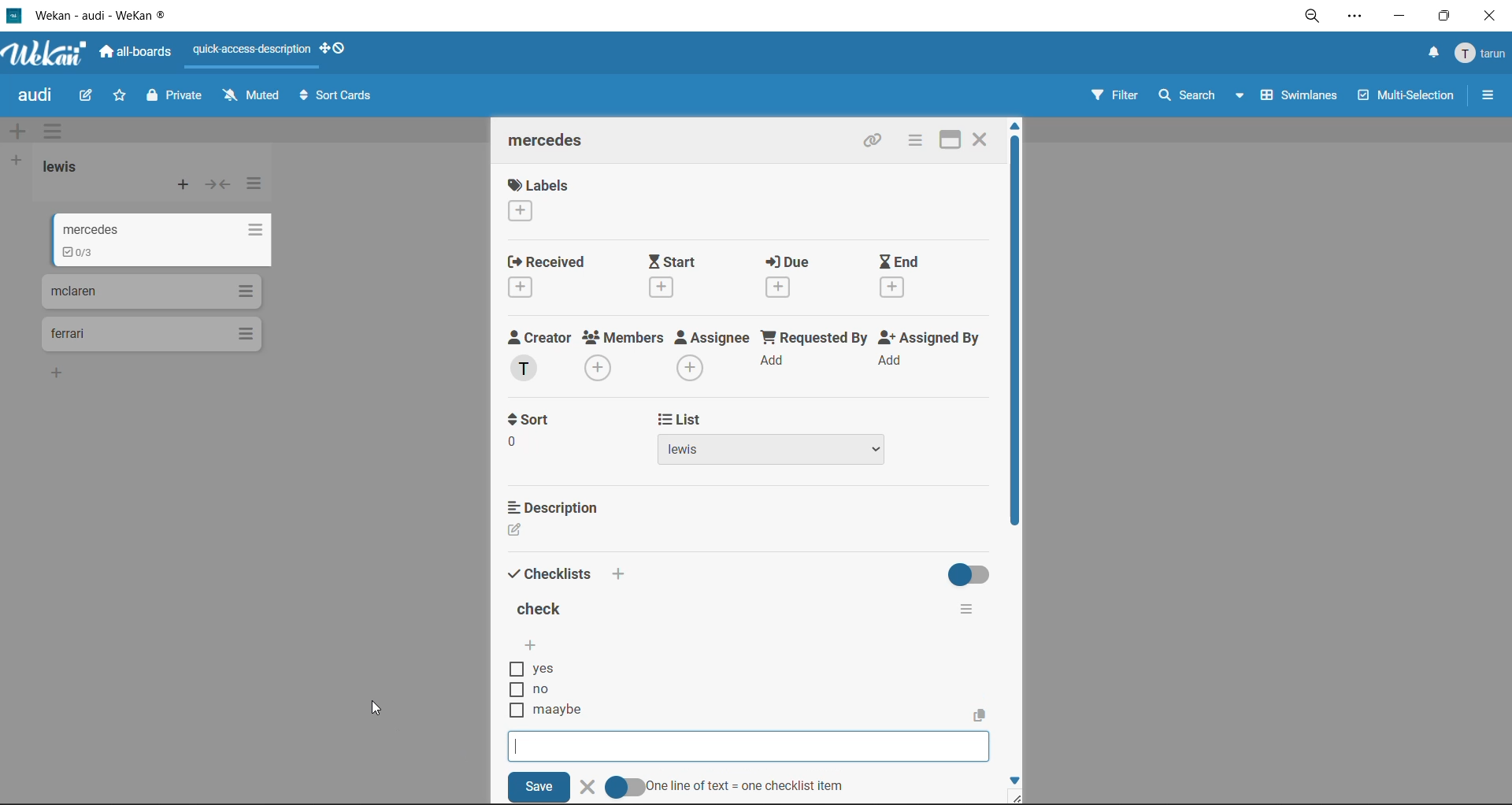 Image resolution: width=1512 pixels, height=805 pixels. What do you see at coordinates (80, 252) in the screenshot?
I see `updated the checklist details` at bounding box center [80, 252].